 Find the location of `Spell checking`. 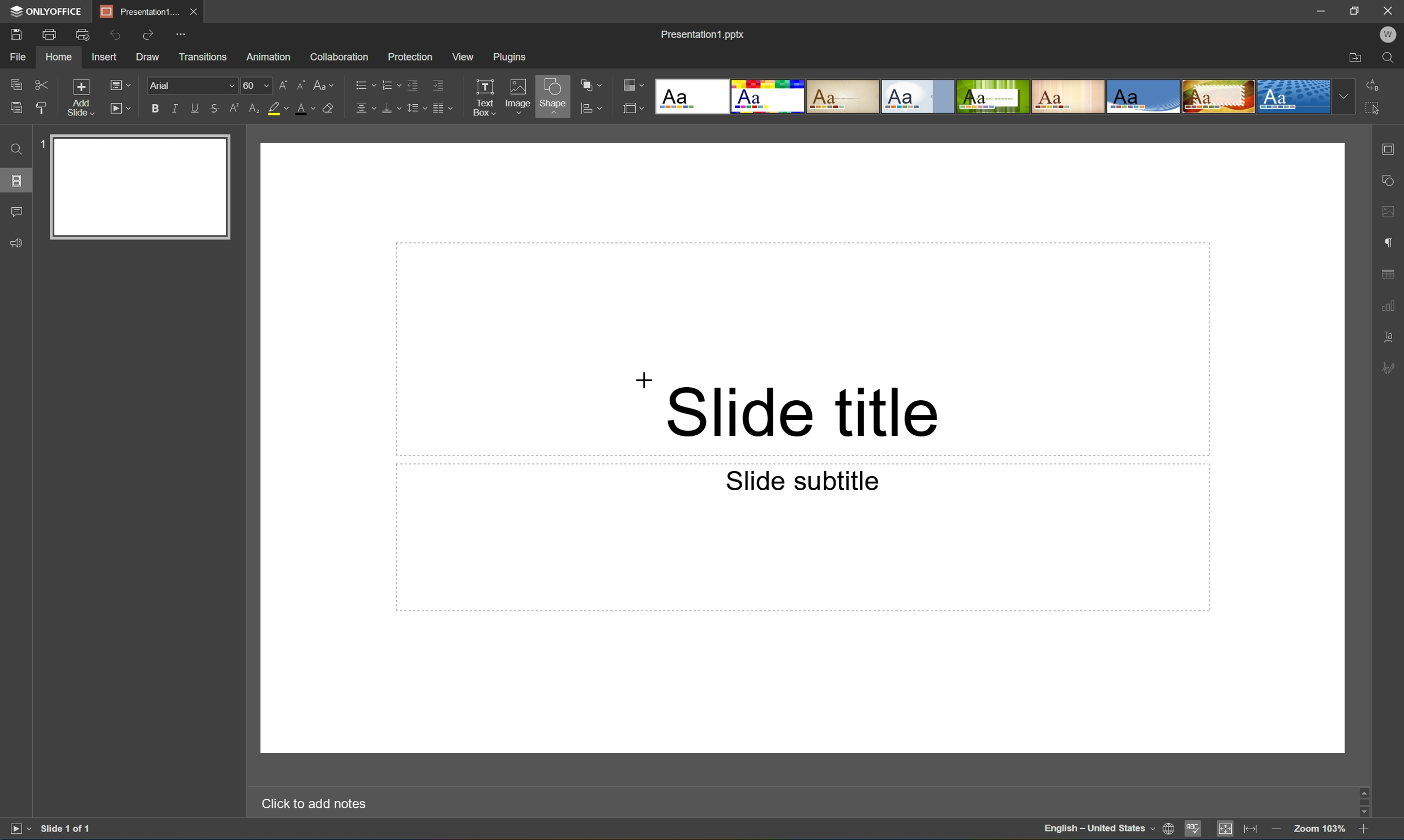

Spell checking is located at coordinates (1191, 832).